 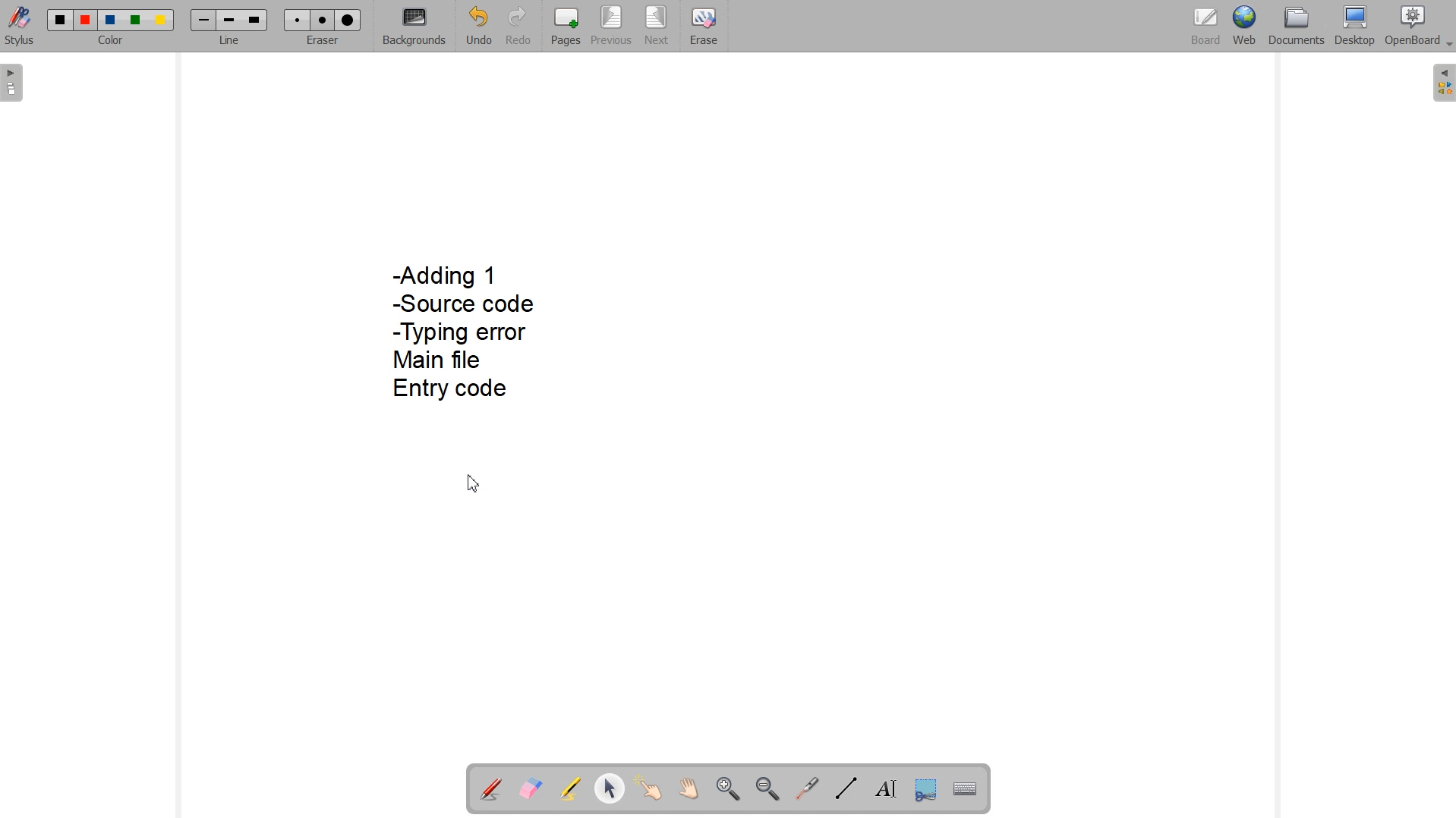 What do you see at coordinates (1297, 27) in the screenshot?
I see `Documents` at bounding box center [1297, 27].